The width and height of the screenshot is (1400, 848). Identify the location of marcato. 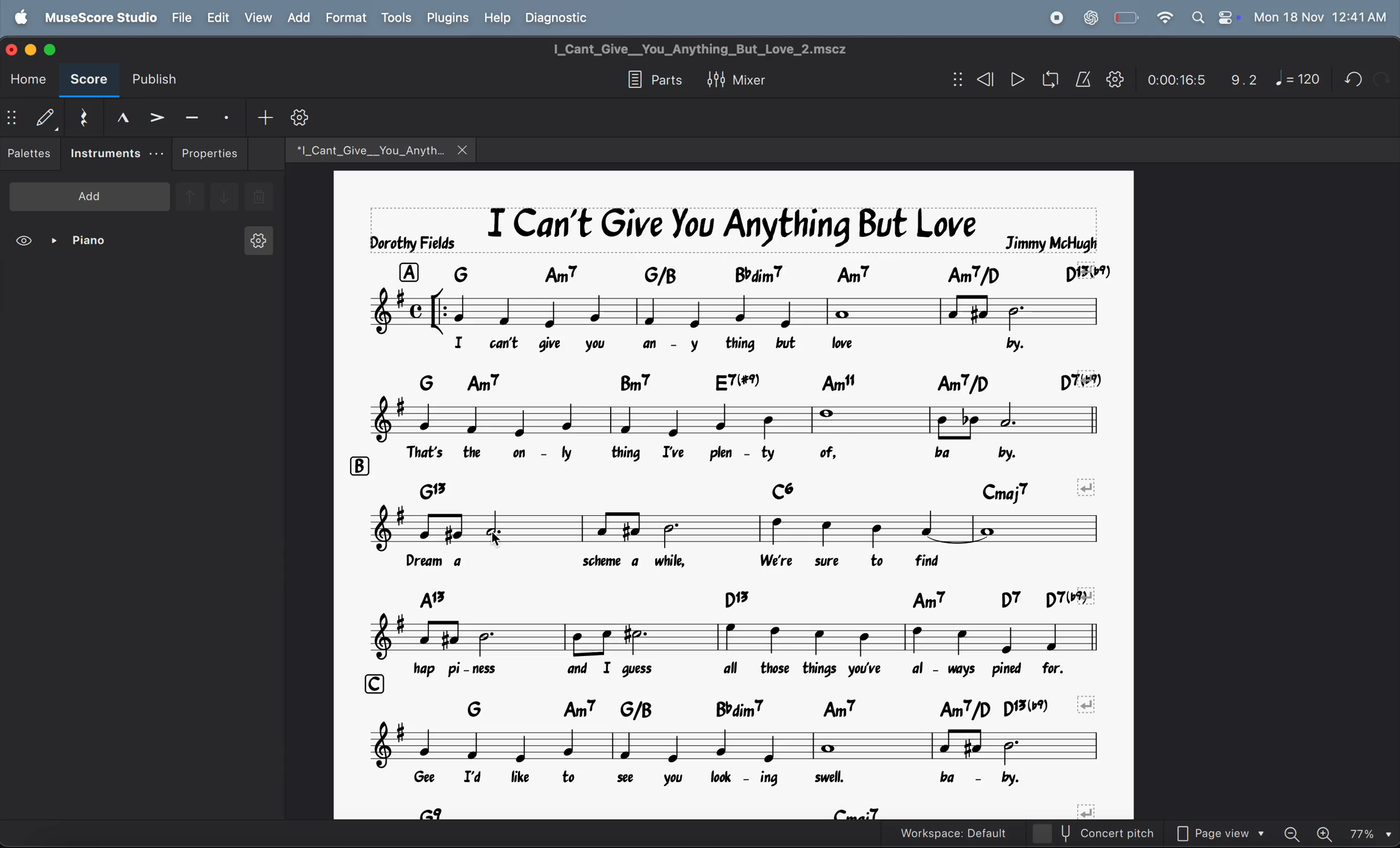
(118, 116).